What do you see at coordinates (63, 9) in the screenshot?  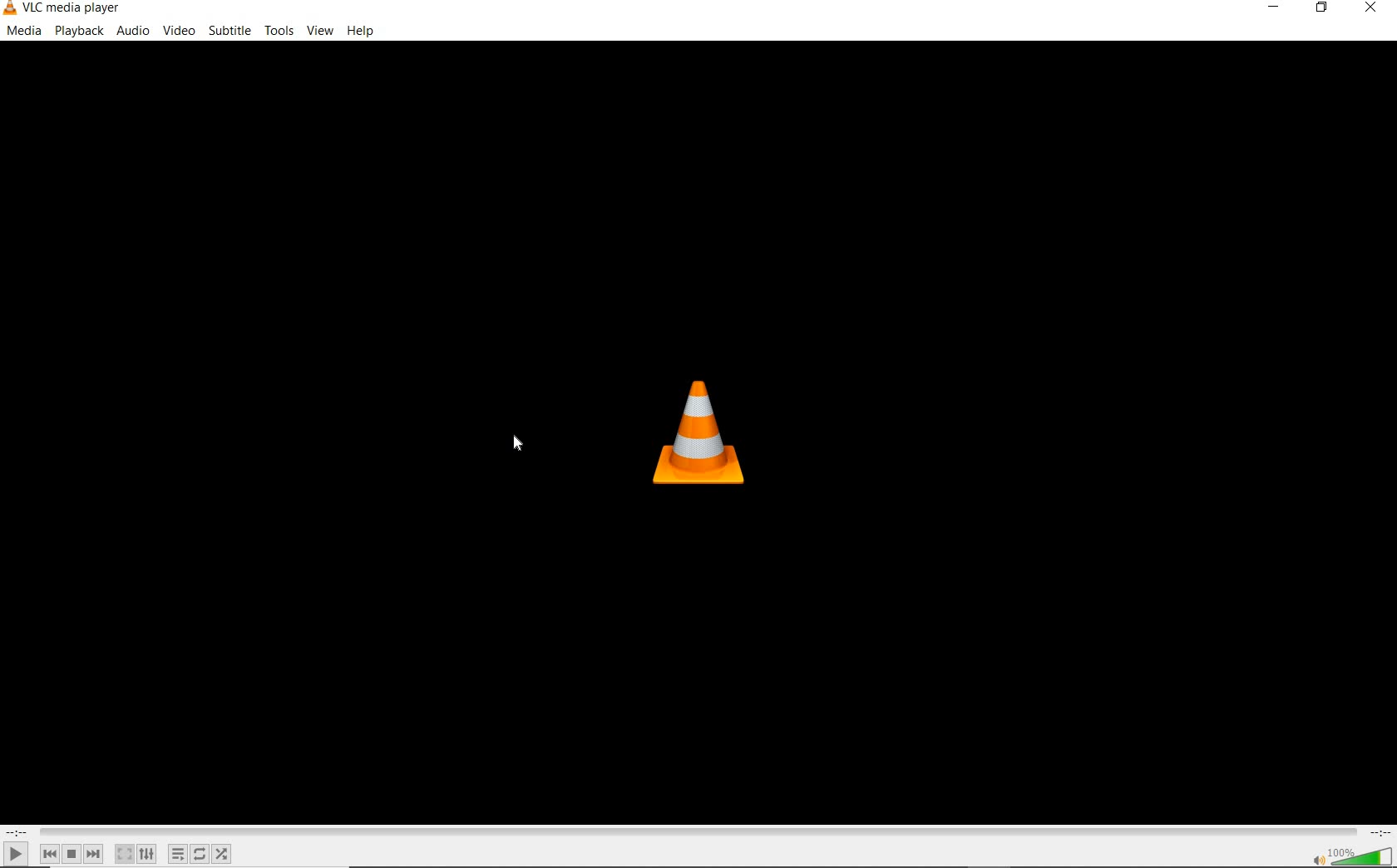 I see `system name` at bounding box center [63, 9].